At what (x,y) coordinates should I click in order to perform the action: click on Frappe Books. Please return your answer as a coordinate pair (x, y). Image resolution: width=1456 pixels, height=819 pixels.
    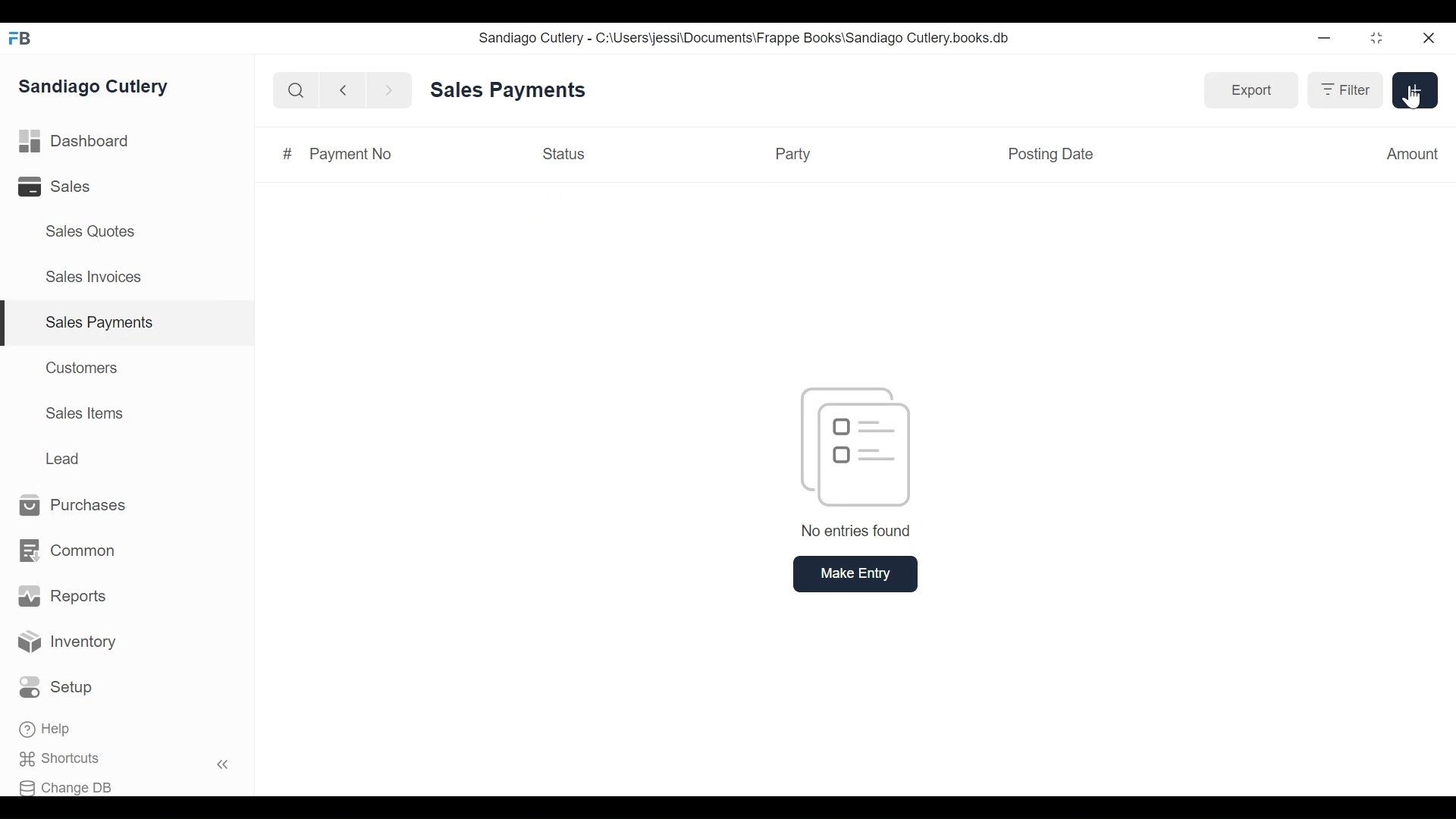
    Looking at the image, I should click on (21, 38).